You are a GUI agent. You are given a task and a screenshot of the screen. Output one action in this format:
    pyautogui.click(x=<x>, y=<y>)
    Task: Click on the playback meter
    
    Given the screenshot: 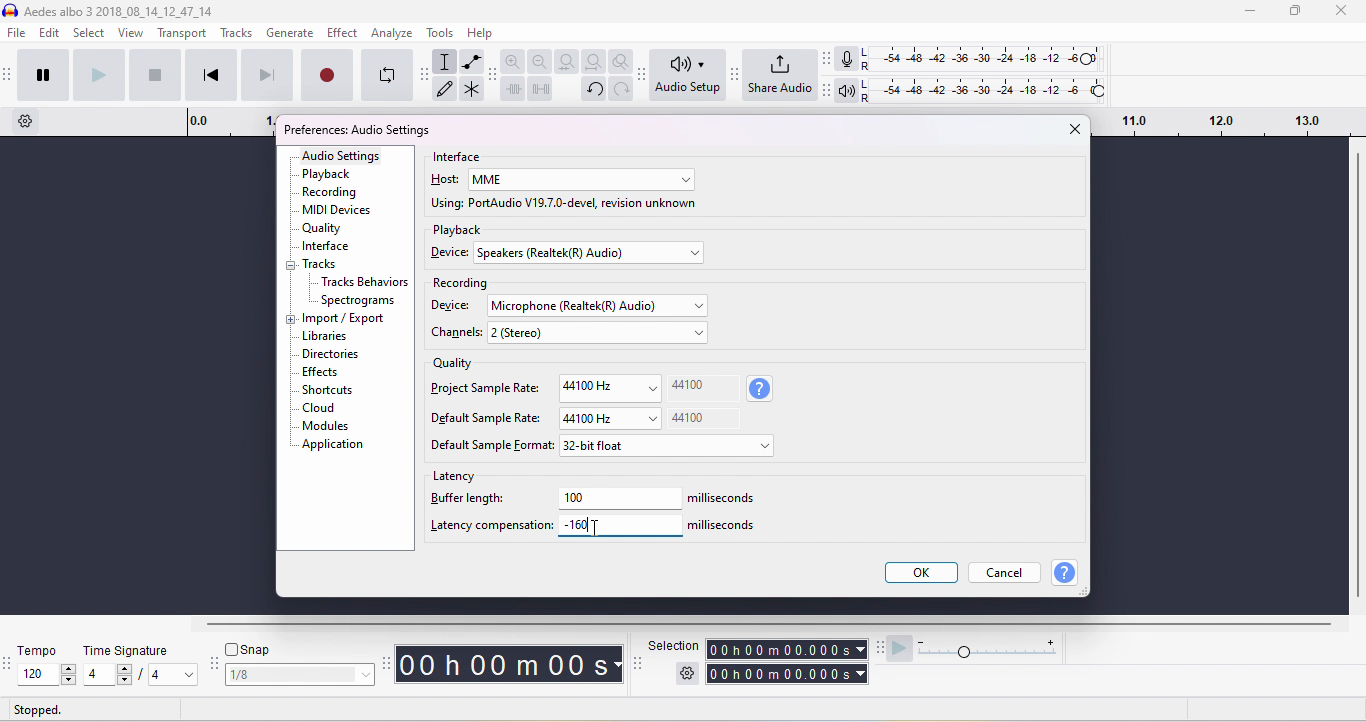 What is the action you would take?
    pyautogui.click(x=849, y=91)
    